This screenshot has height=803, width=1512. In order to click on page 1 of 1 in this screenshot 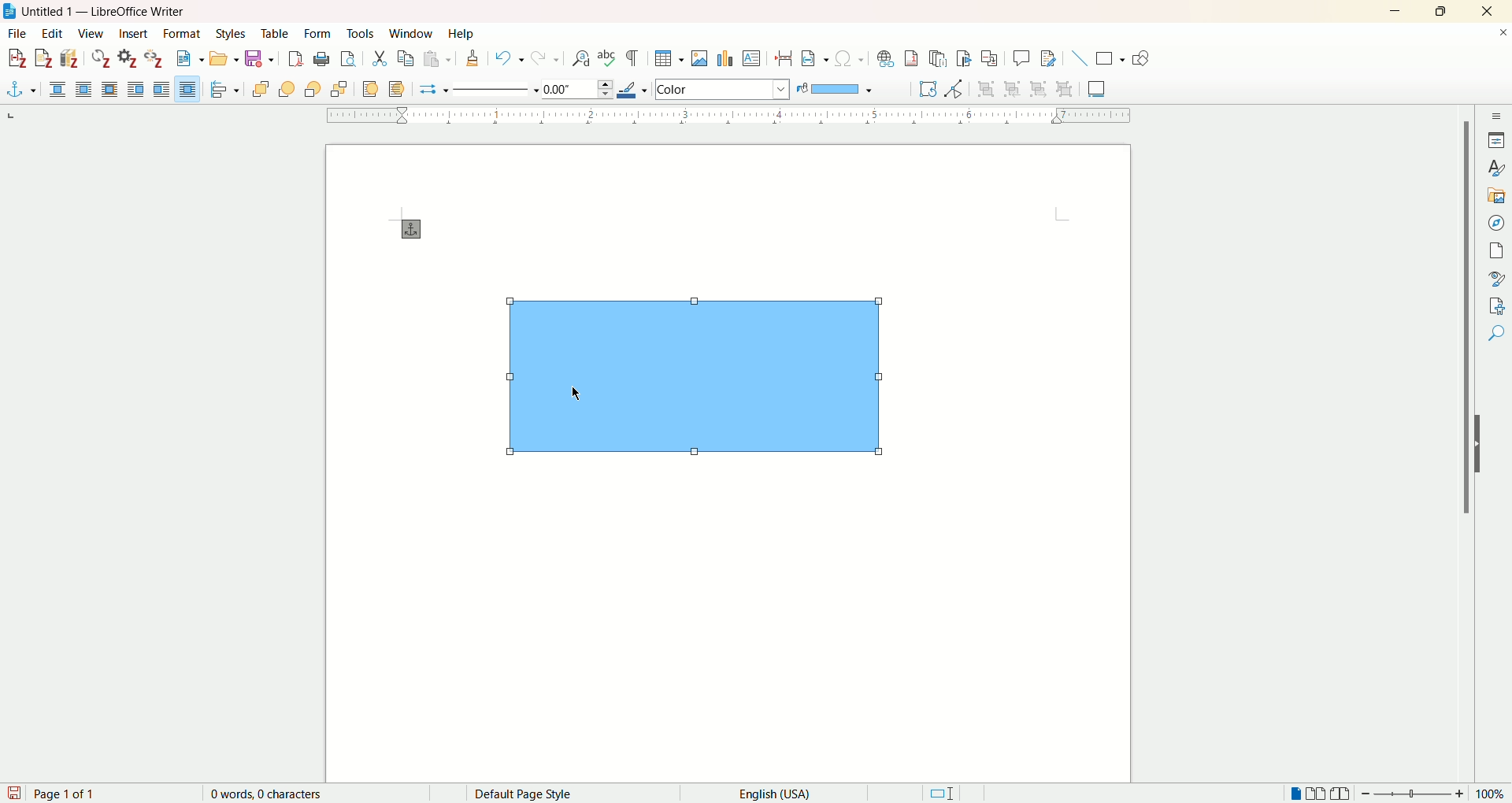, I will do `click(68, 793)`.